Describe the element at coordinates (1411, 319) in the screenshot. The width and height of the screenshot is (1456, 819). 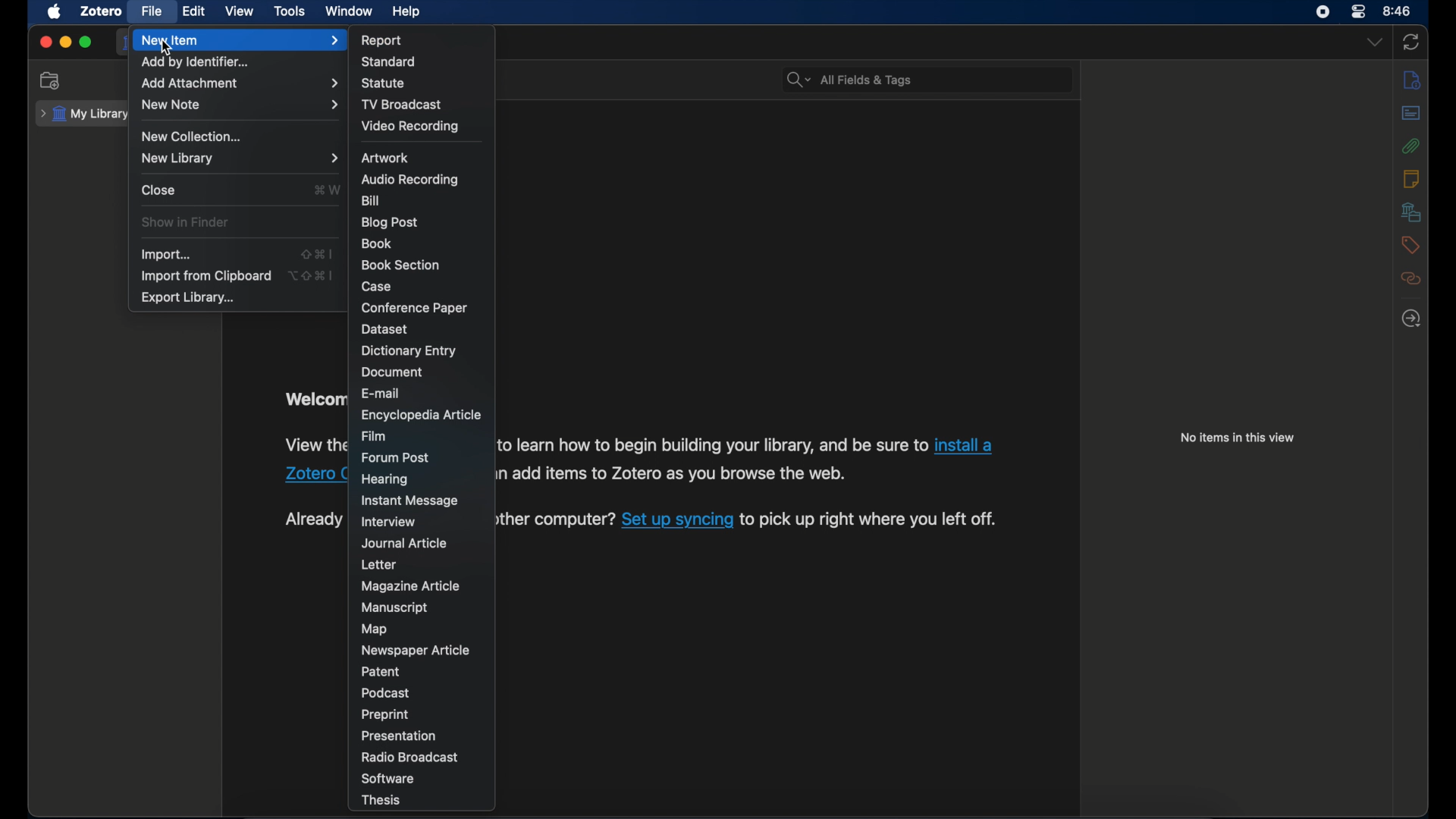
I see `locate` at that location.